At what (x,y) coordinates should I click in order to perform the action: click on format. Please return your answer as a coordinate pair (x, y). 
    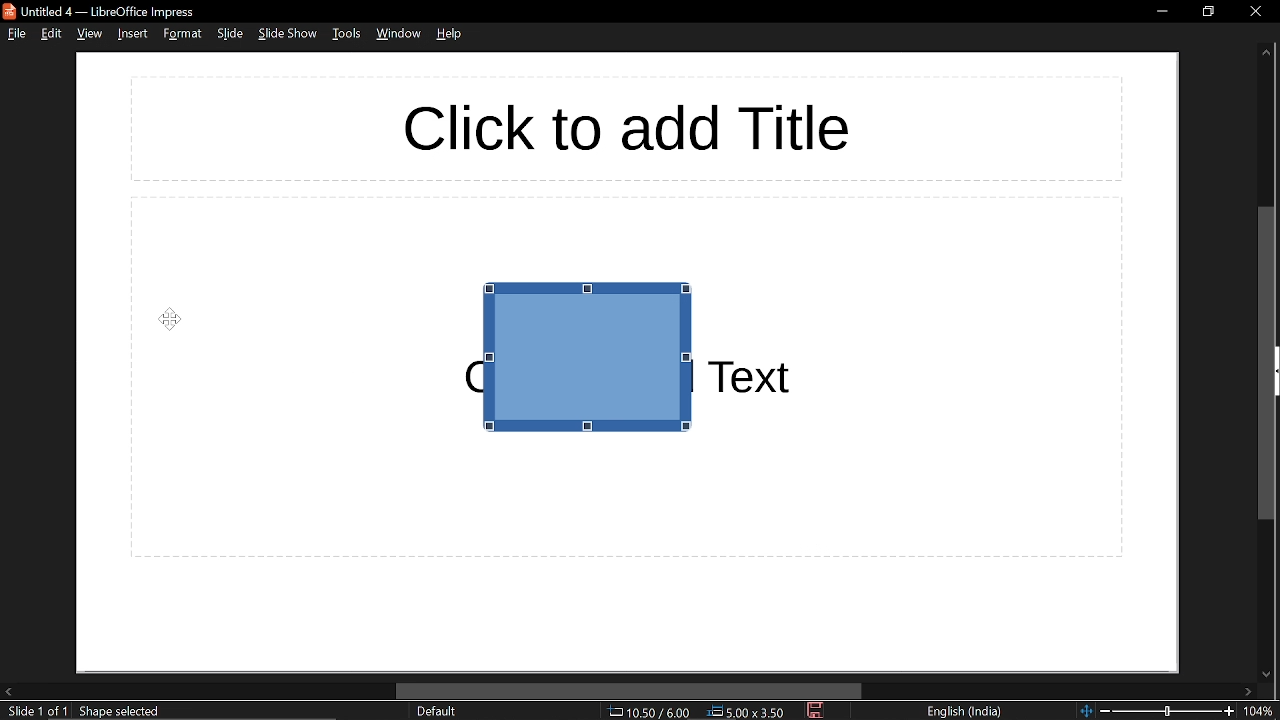
    Looking at the image, I should click on (180, 35).